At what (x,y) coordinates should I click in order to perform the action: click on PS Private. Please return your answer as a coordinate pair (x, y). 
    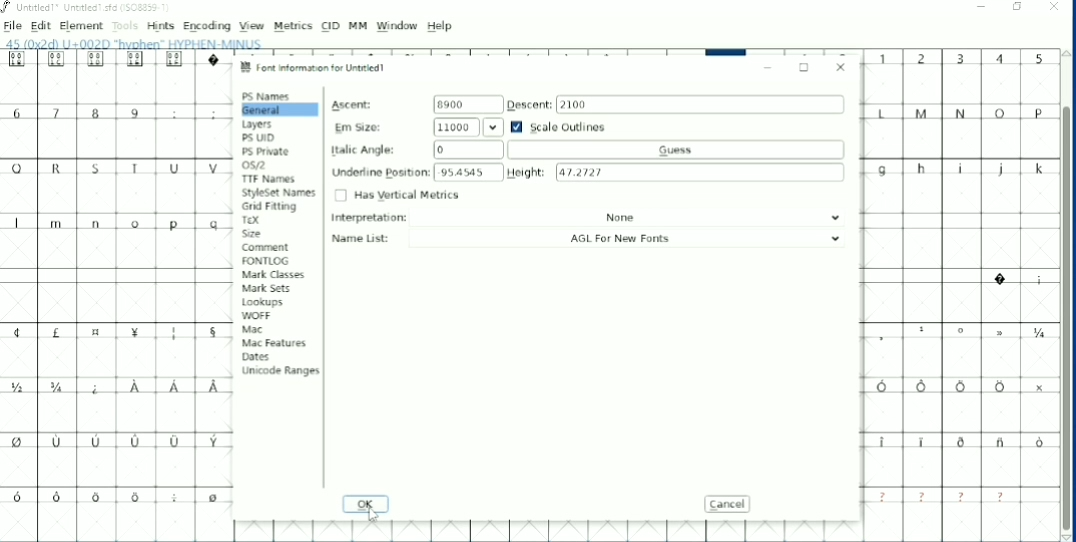
    Looking at the image, I should click on (267, 151).